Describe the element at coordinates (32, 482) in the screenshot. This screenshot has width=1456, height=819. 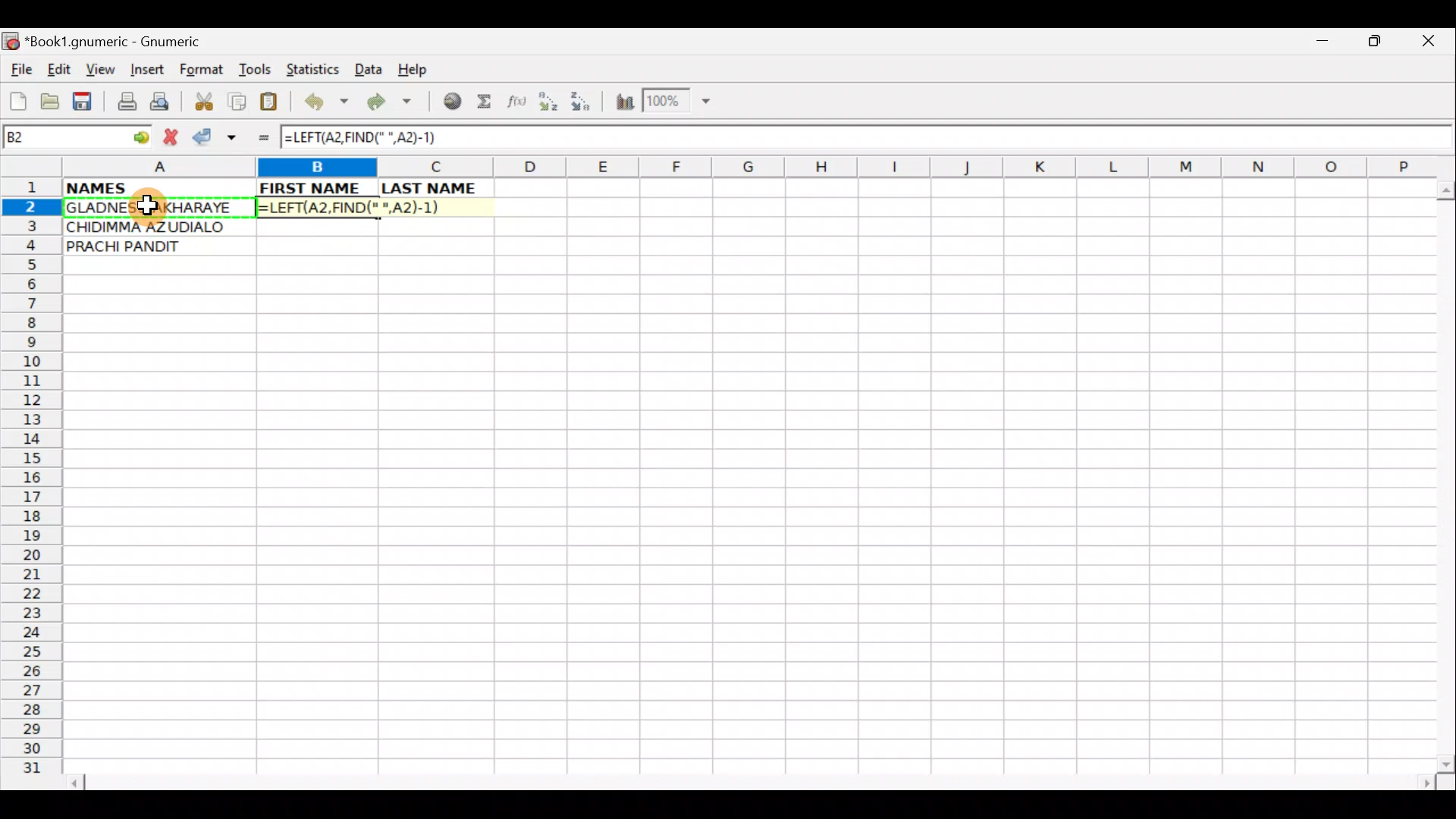
I see `Rows` at that location.